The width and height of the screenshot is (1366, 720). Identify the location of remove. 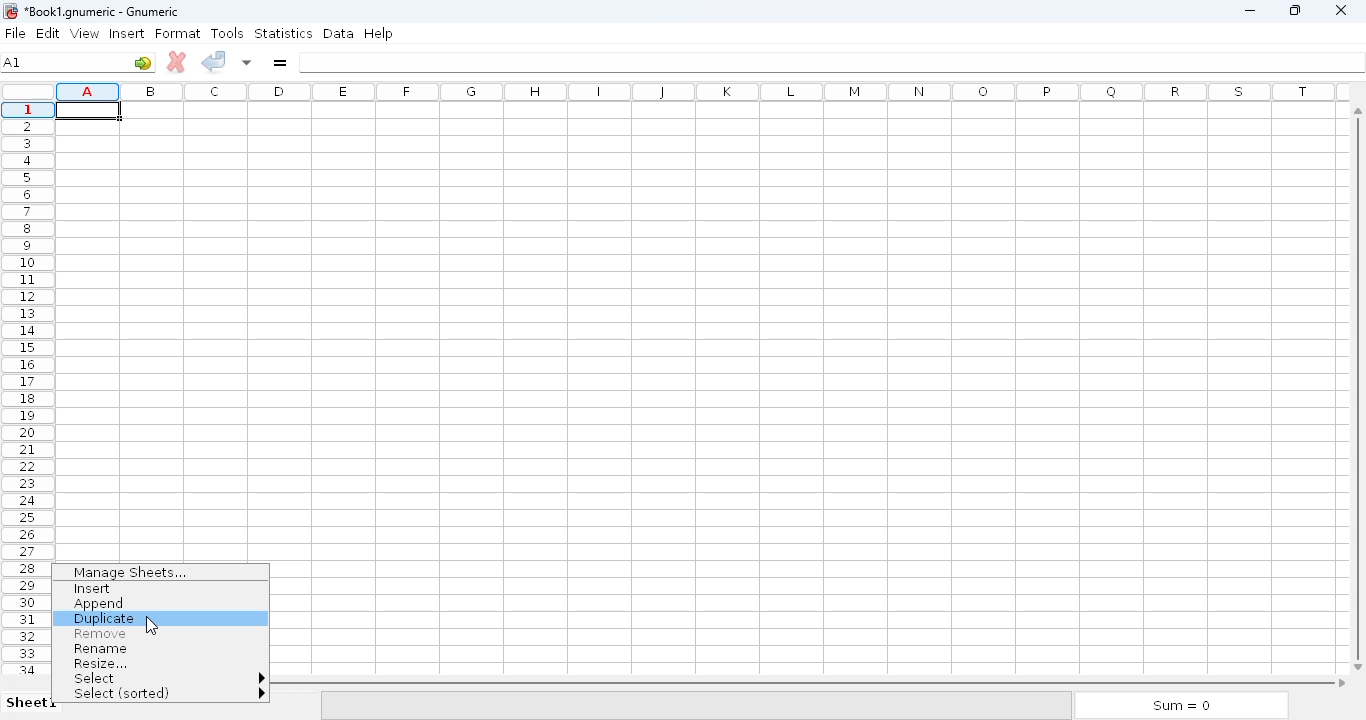
(100, 634).